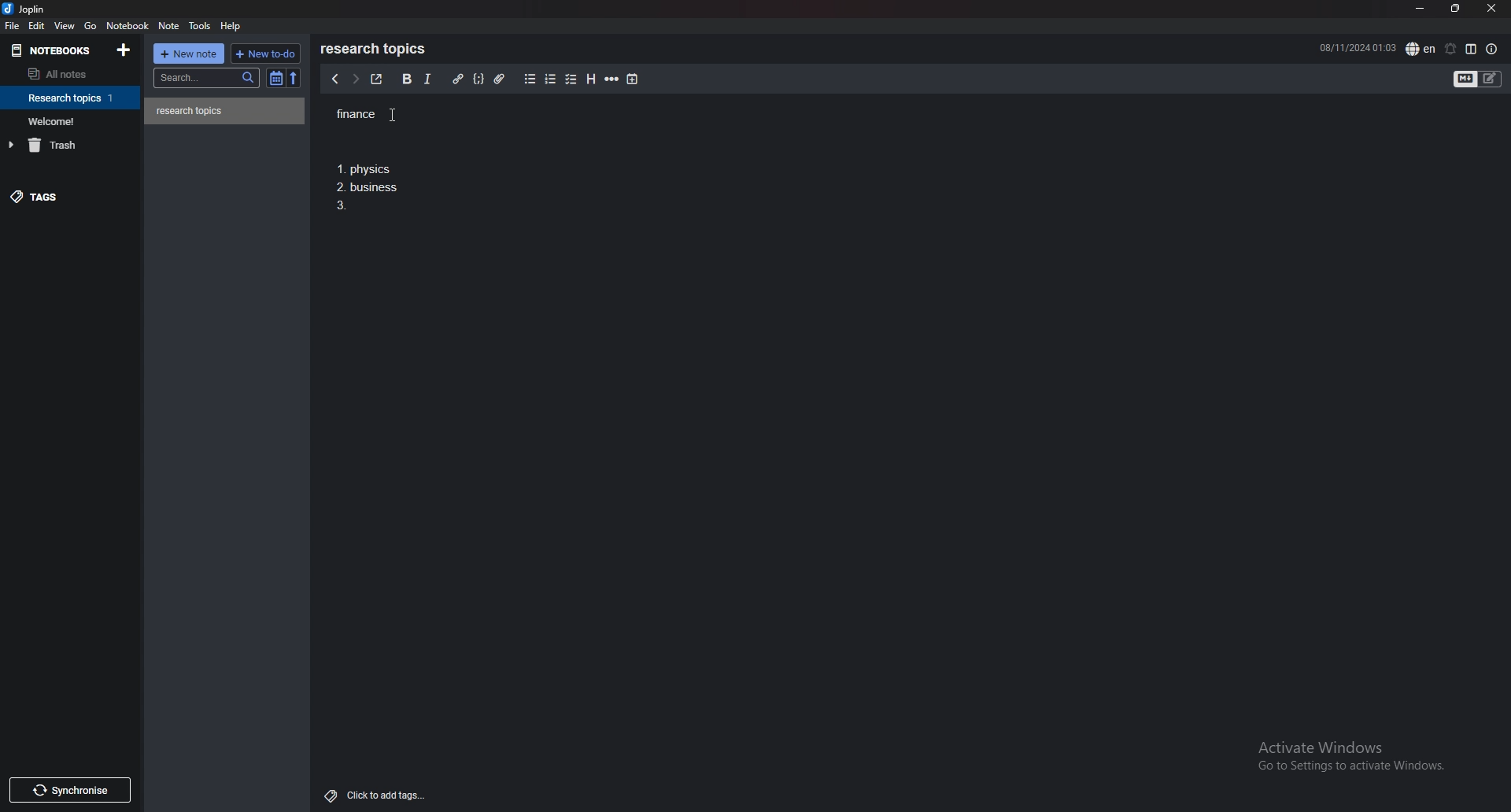 The image size is (1511, 812). Describe the element at coordinates (276, 79) in the screenshot. I see `toggle sort order` at that location.